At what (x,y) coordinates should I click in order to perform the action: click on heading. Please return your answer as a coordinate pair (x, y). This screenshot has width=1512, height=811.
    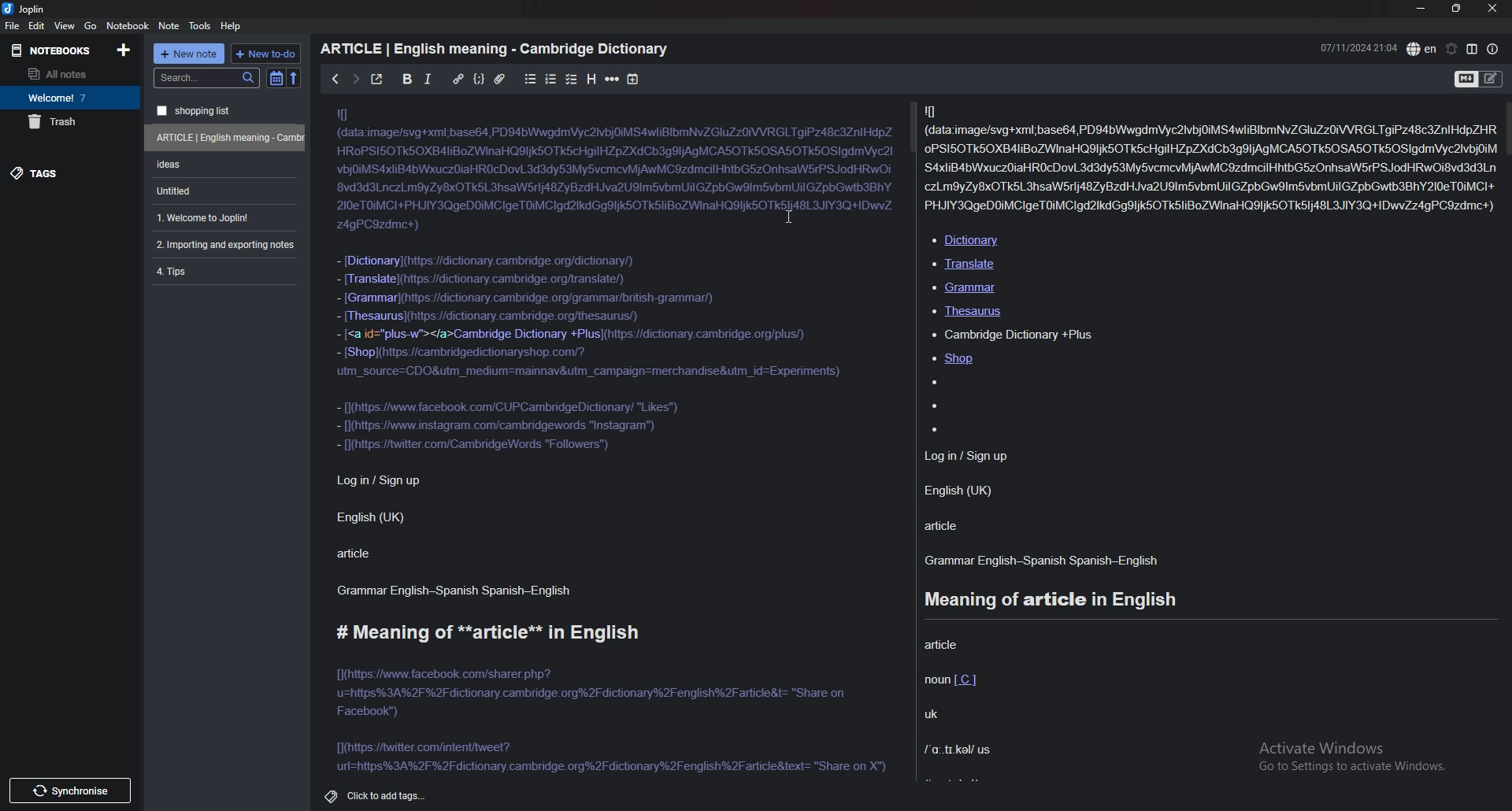
    Looking at the image, I should click on (591, 80).